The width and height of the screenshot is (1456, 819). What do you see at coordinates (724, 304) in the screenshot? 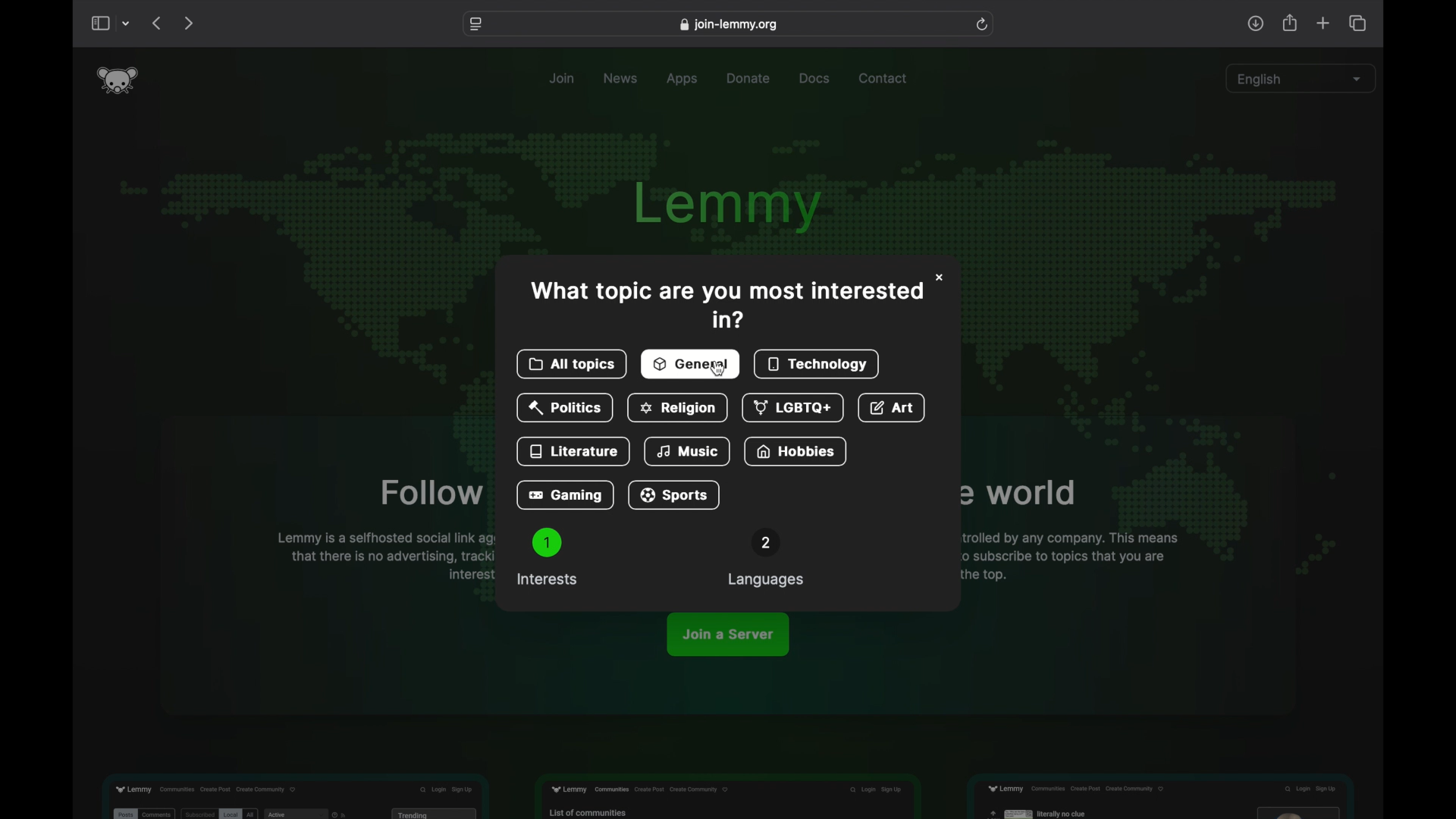
I see `what topic are you most interested in?` at bounding box center [724, 304].